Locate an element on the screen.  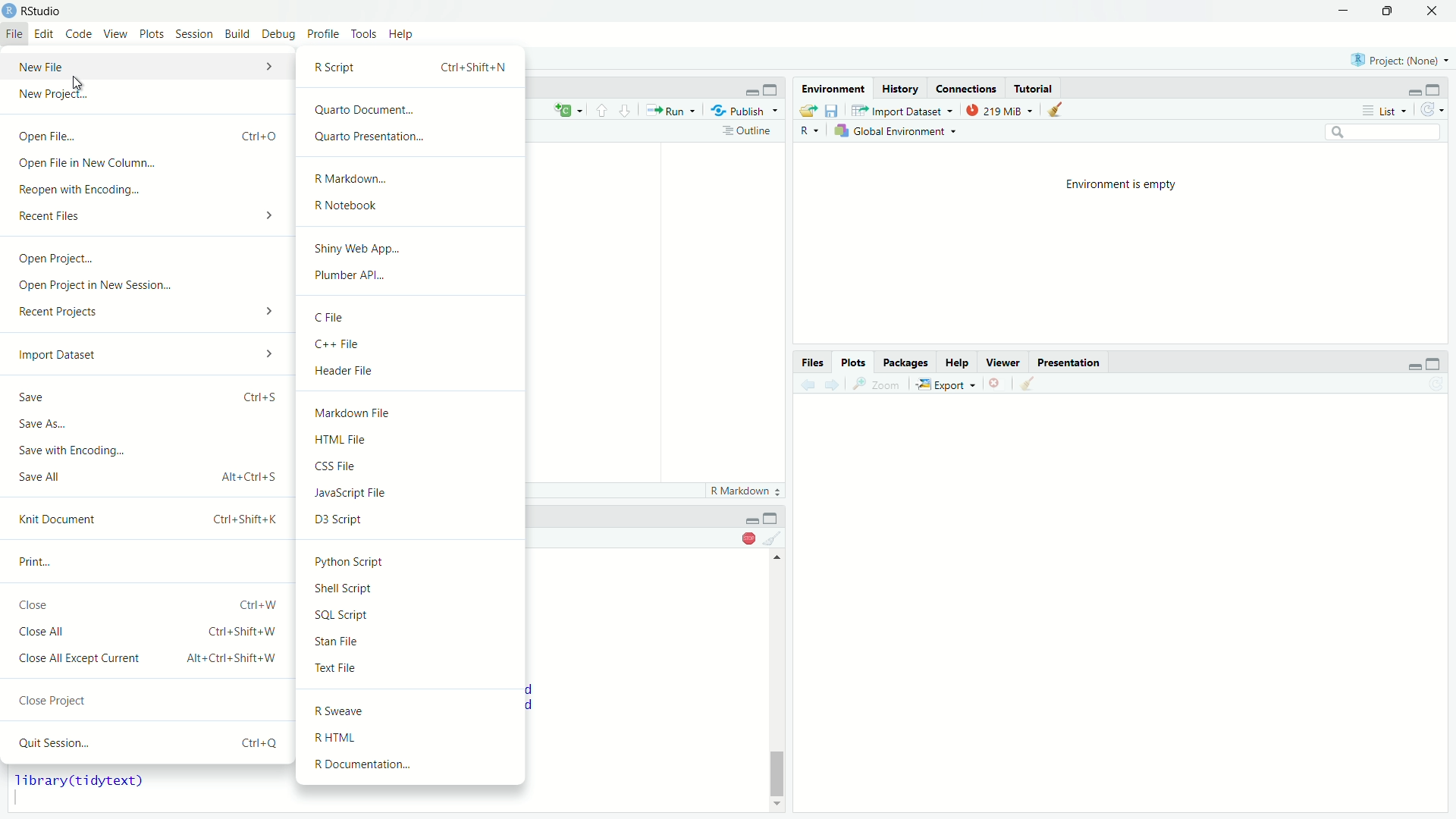
Quarto Document... is located at coordinates (414, 110).